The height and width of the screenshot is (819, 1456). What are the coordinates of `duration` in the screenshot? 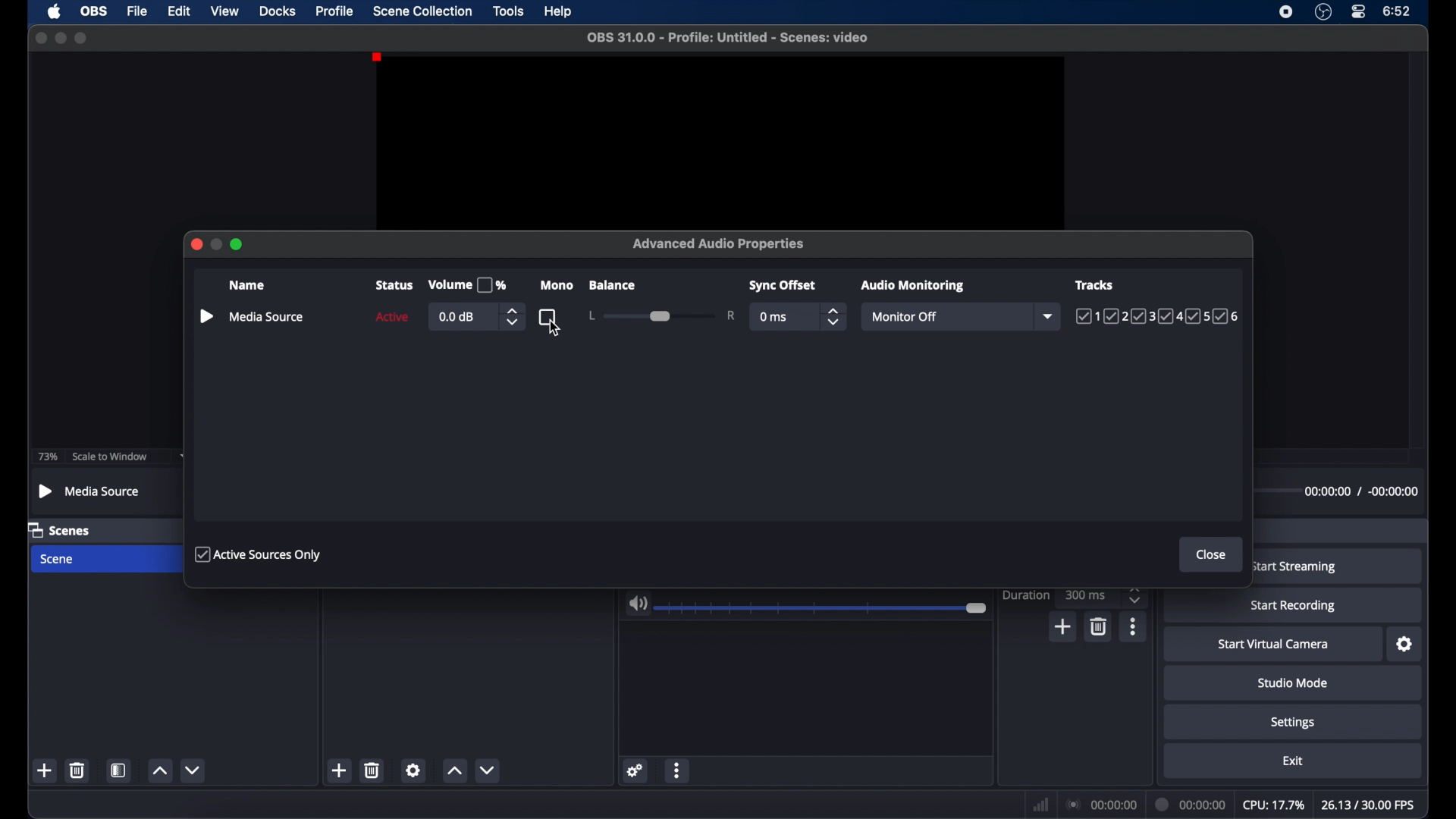 It's located at (1025, 595).